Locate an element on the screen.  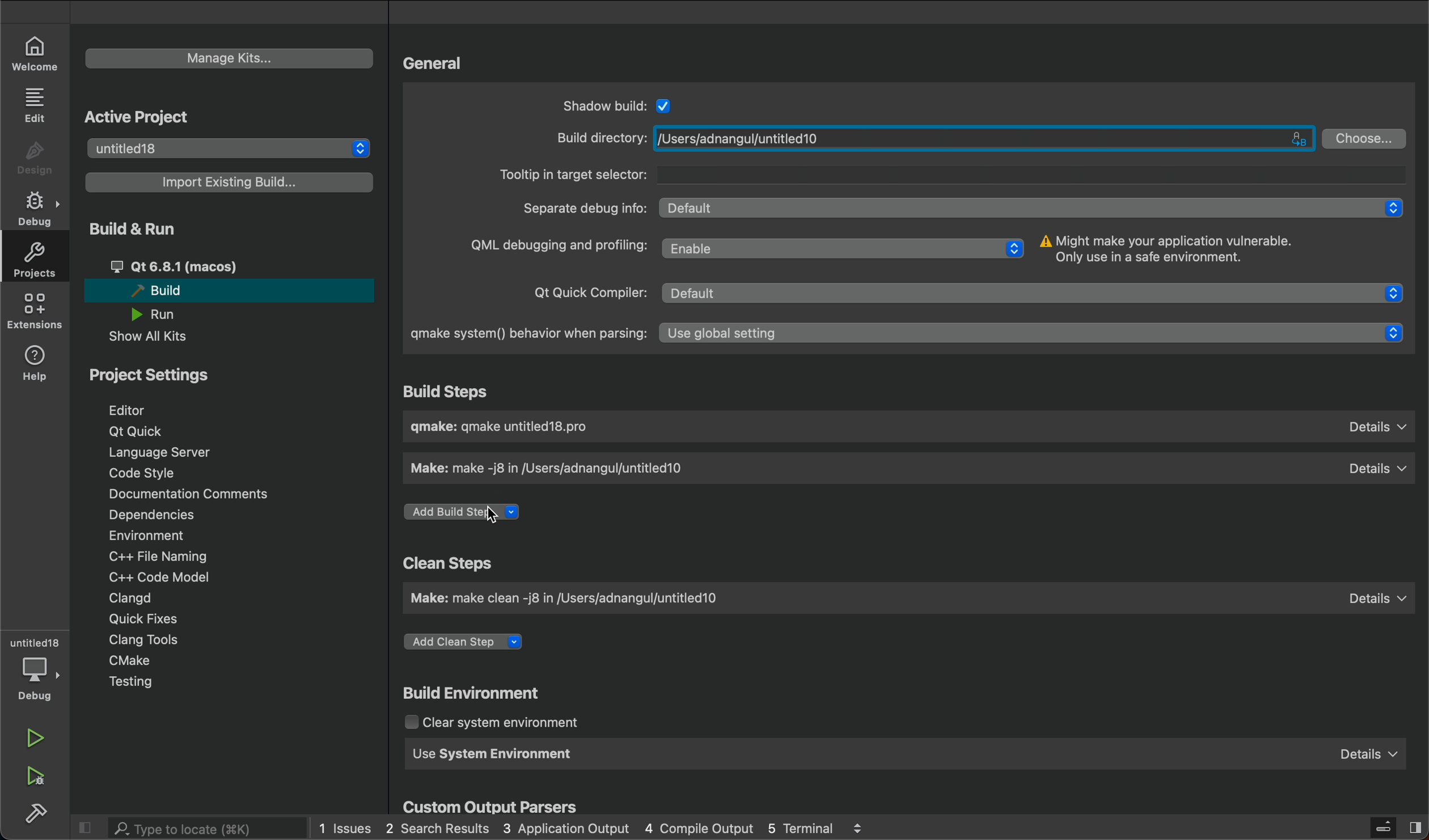
Clean Steps is located at coordinates (450, 563).